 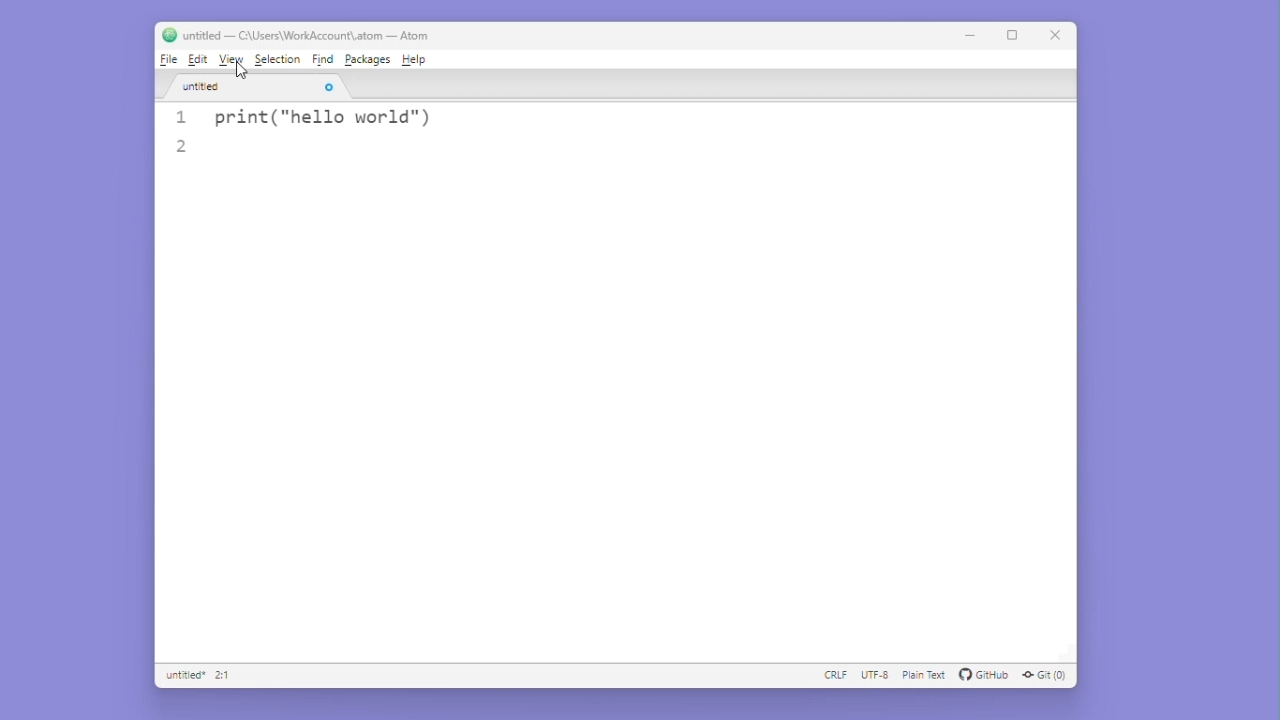 I want to click on CRLF, so click(x=831, y=677).